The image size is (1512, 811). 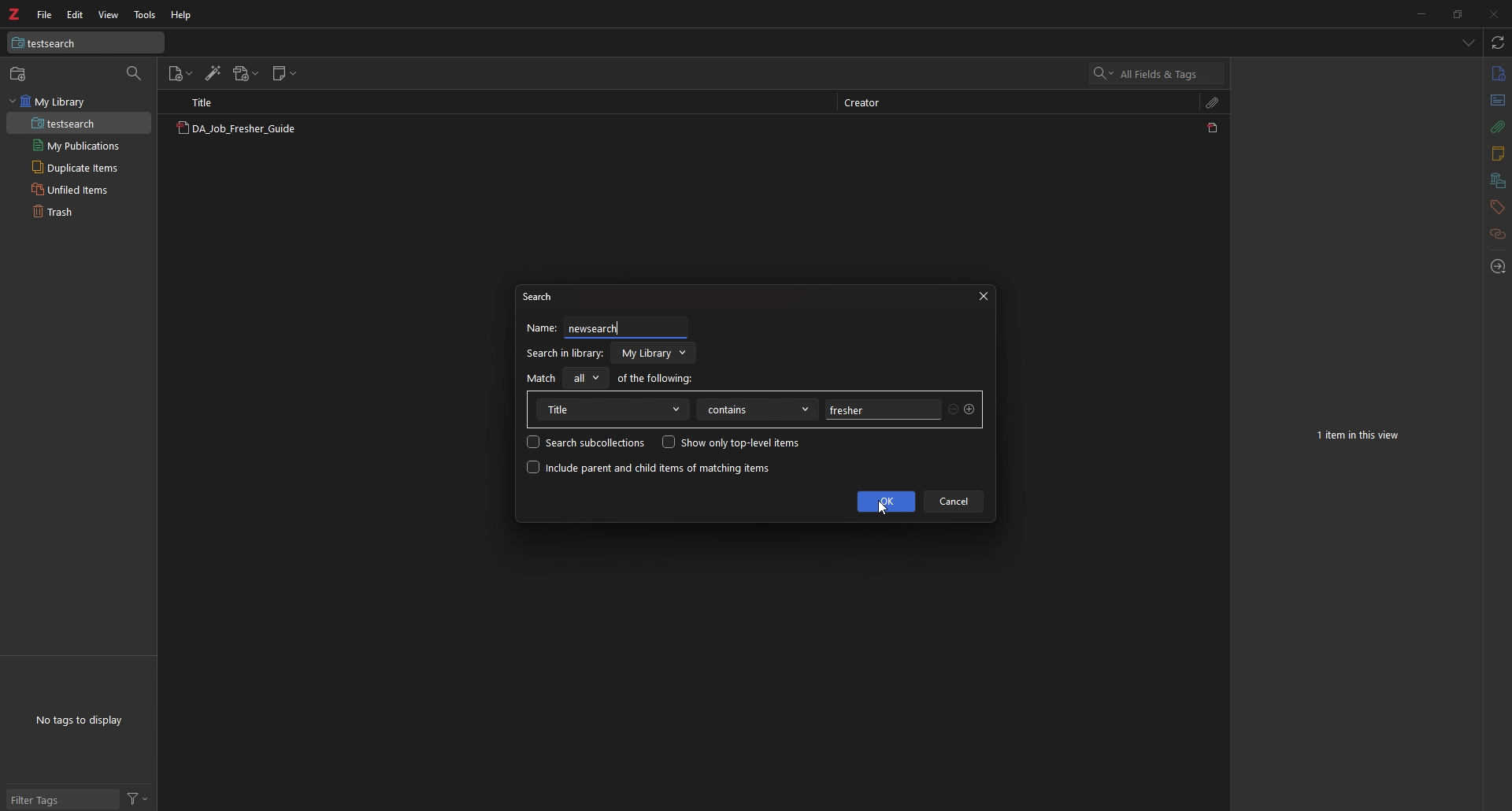 What do you see at coordinates (79, 124) in the screenshot?
I see `testsearch` at bounding box center [79, 124].